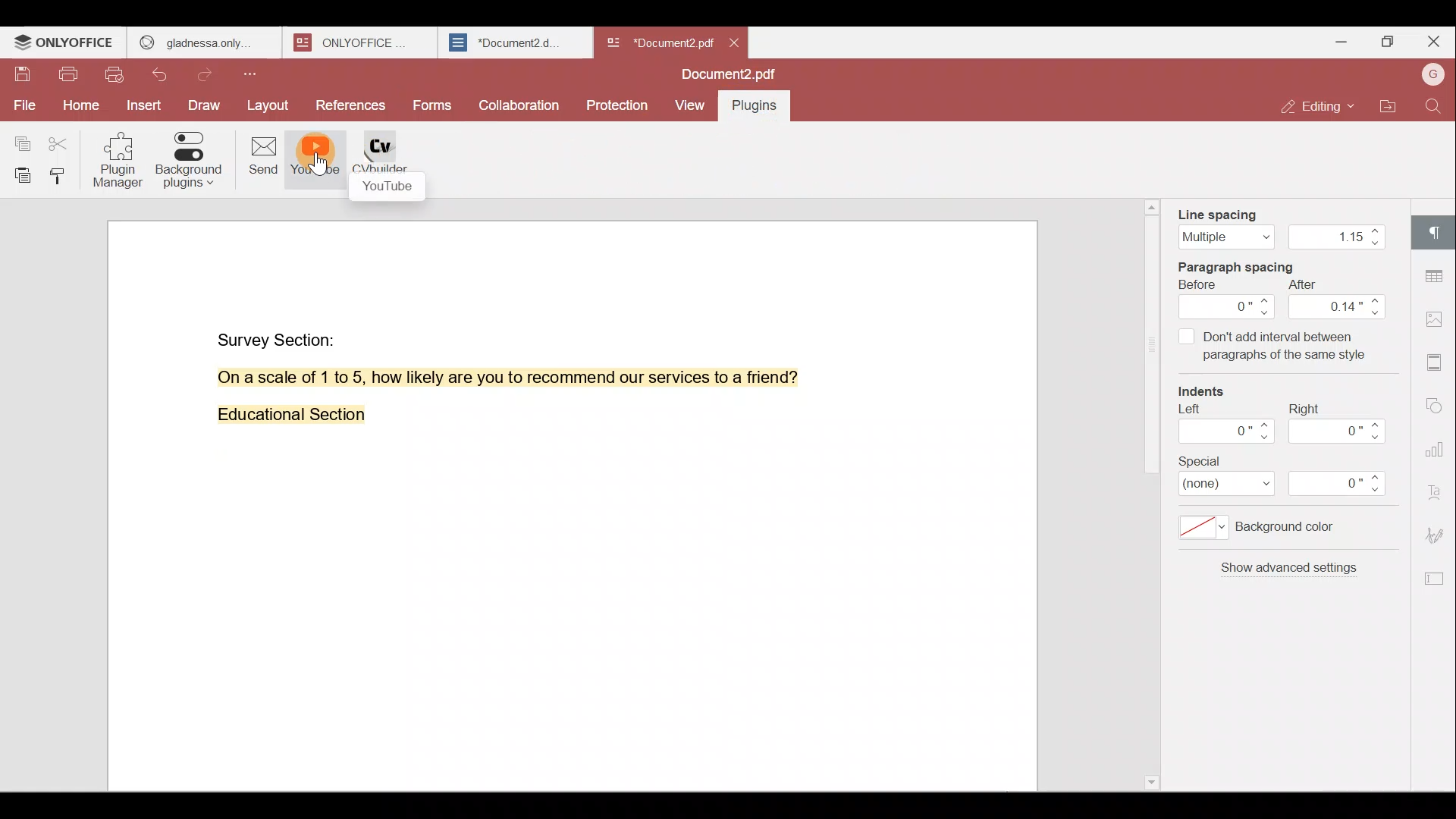 Image resolution: width=1456 pixels, height=819 pixels. What do you see at coordinates (1320, 106) in the screenshot?
I see `Editing mode` at bounding box center [1320, 106].